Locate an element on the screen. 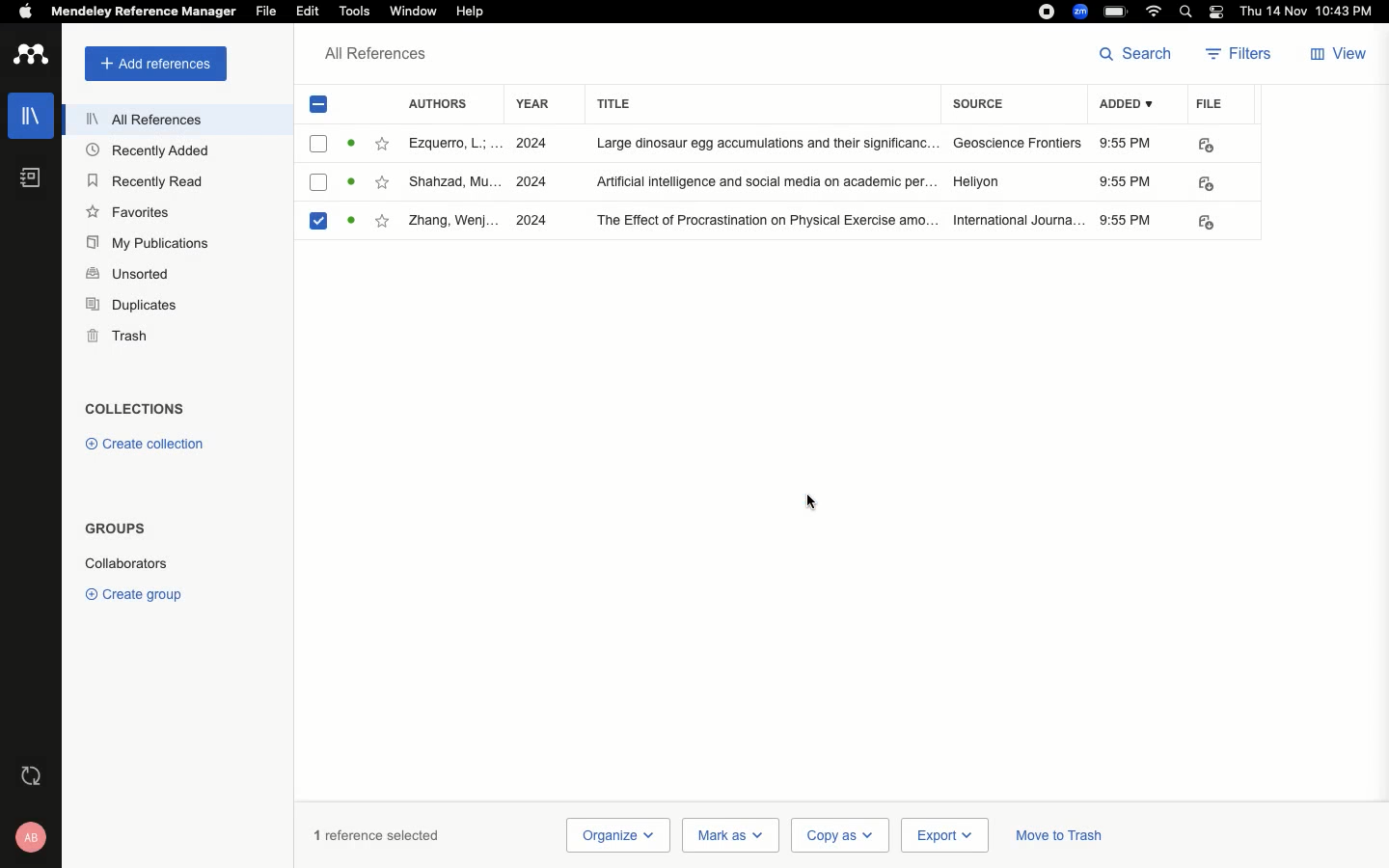 This screenshot has height=868, width=1389. 9:55PM is located at coordinates (1125, 220).